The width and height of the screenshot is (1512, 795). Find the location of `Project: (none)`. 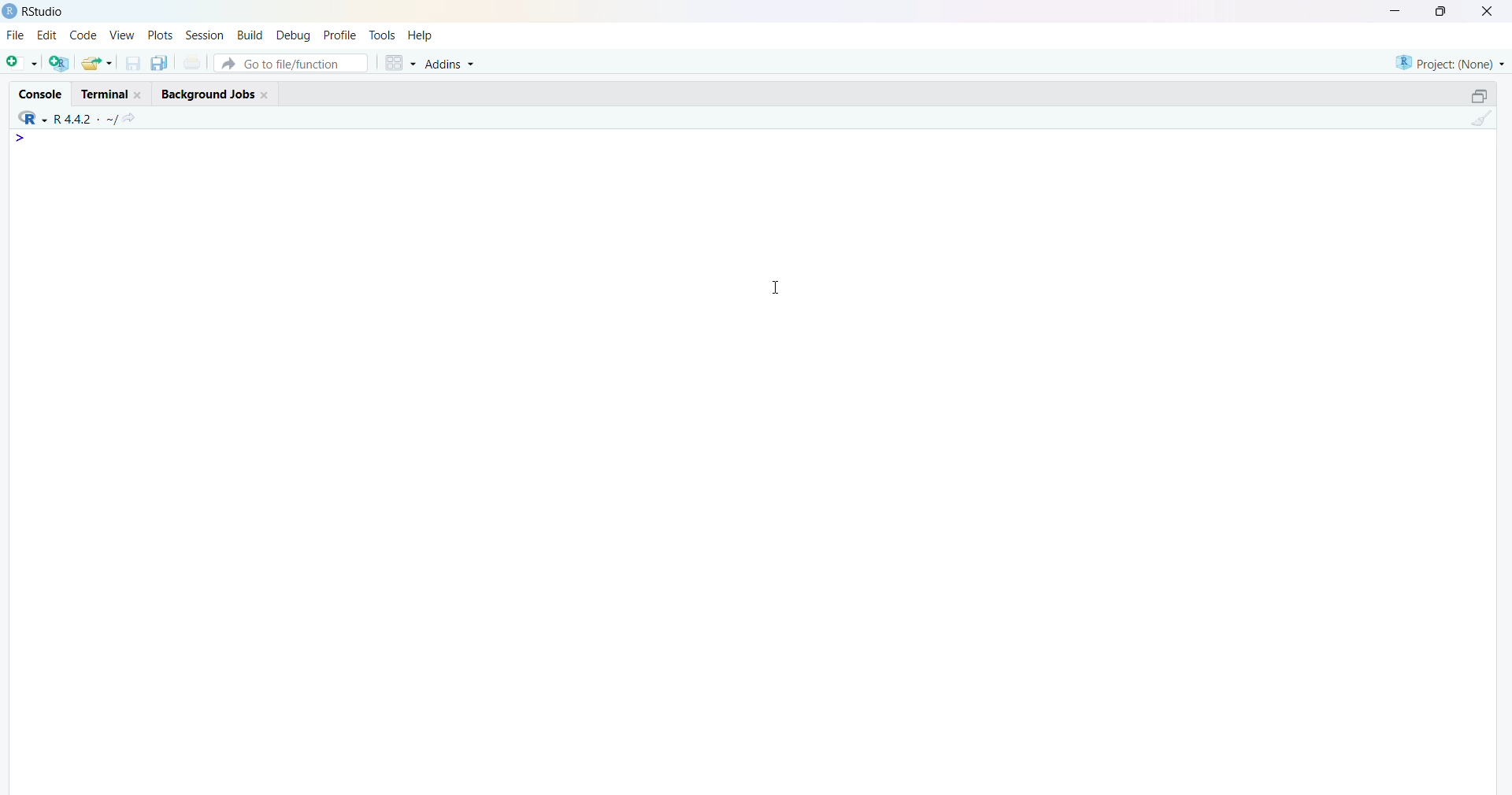

Project: (none) is located at coordinates (1450, 64).